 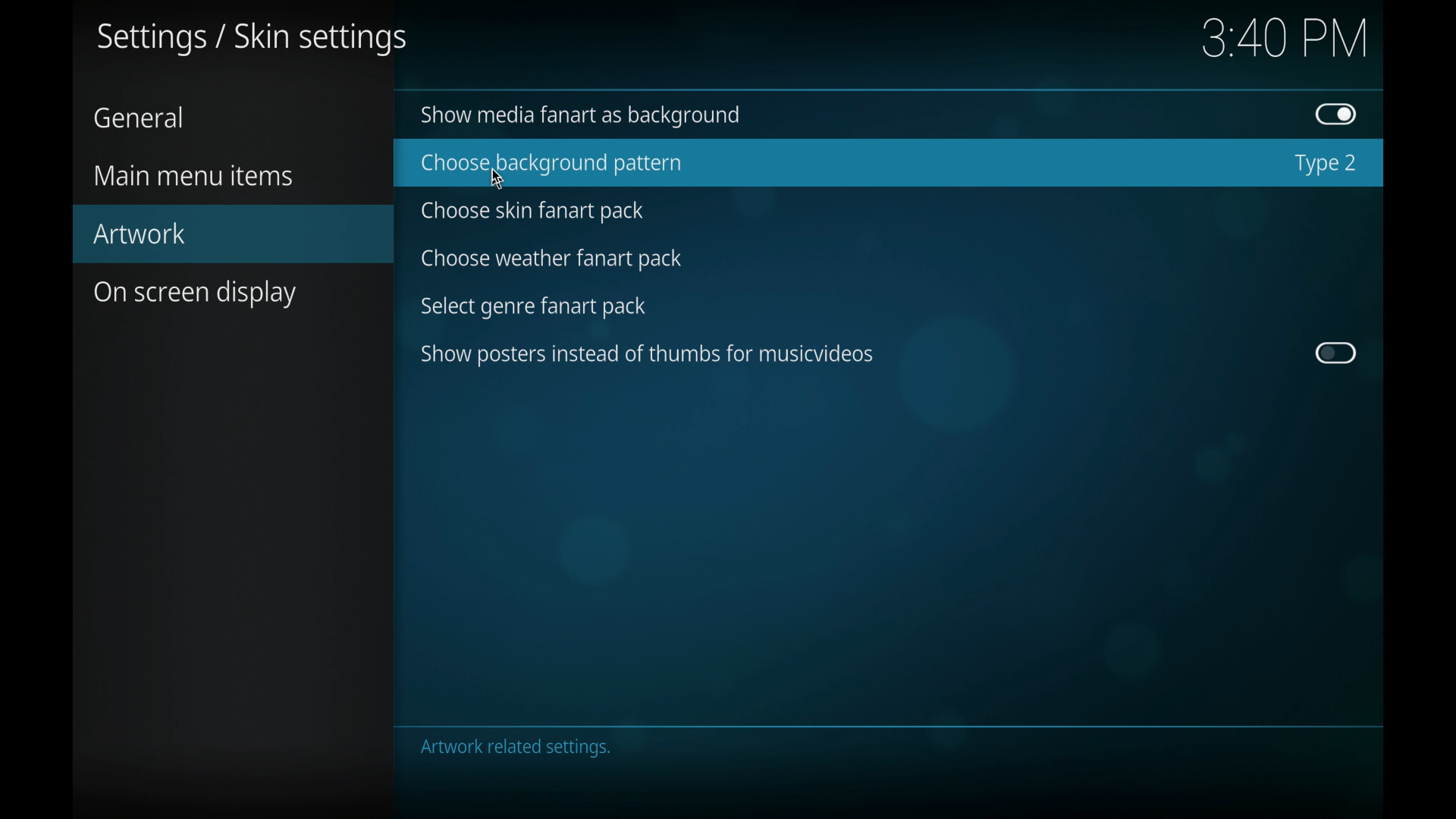 What do you see at coordinates (193, 177) in the screenshot?
I see `main menu items` at bounding box center [193, 177].